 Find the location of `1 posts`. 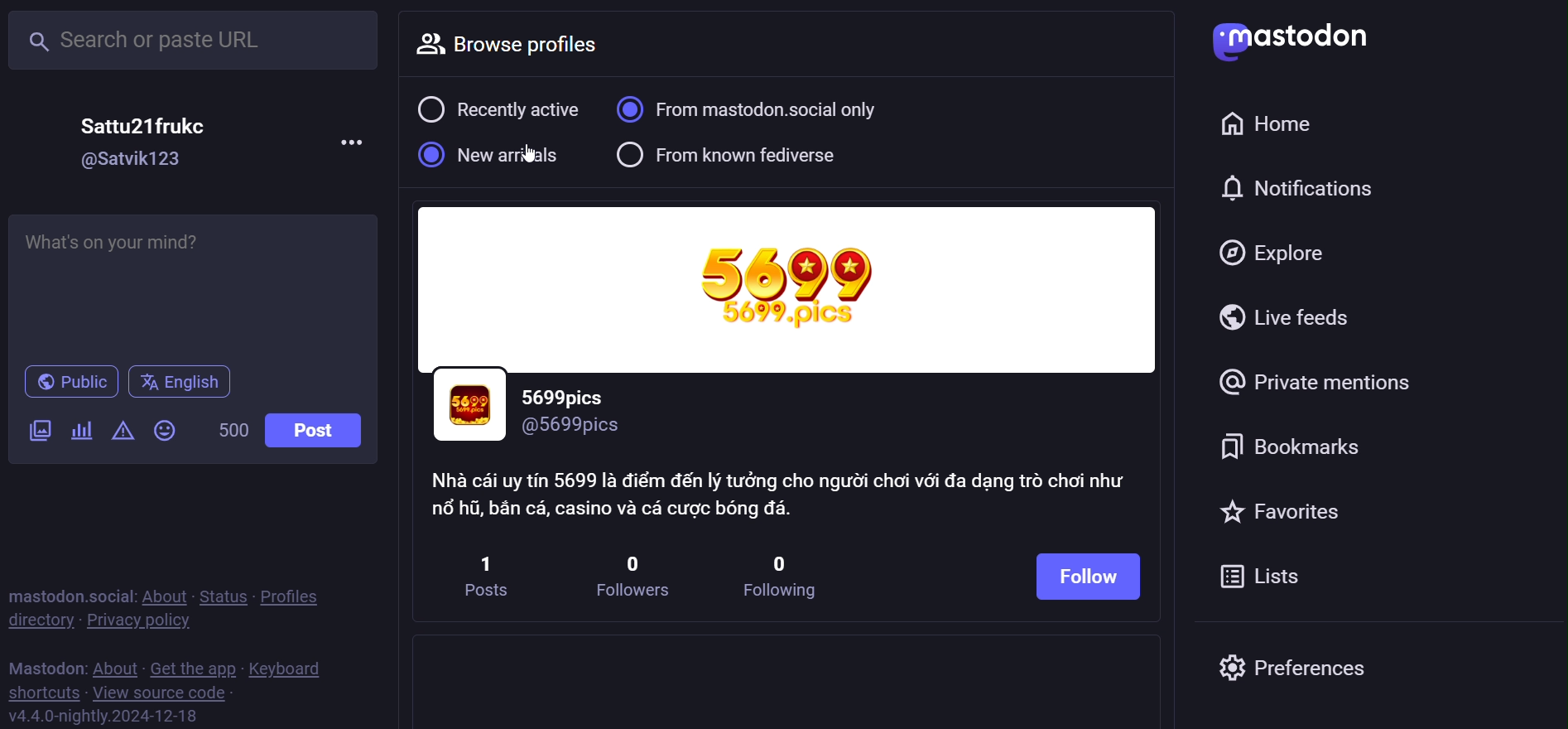

1 posts is located at coordinates (484, 576).